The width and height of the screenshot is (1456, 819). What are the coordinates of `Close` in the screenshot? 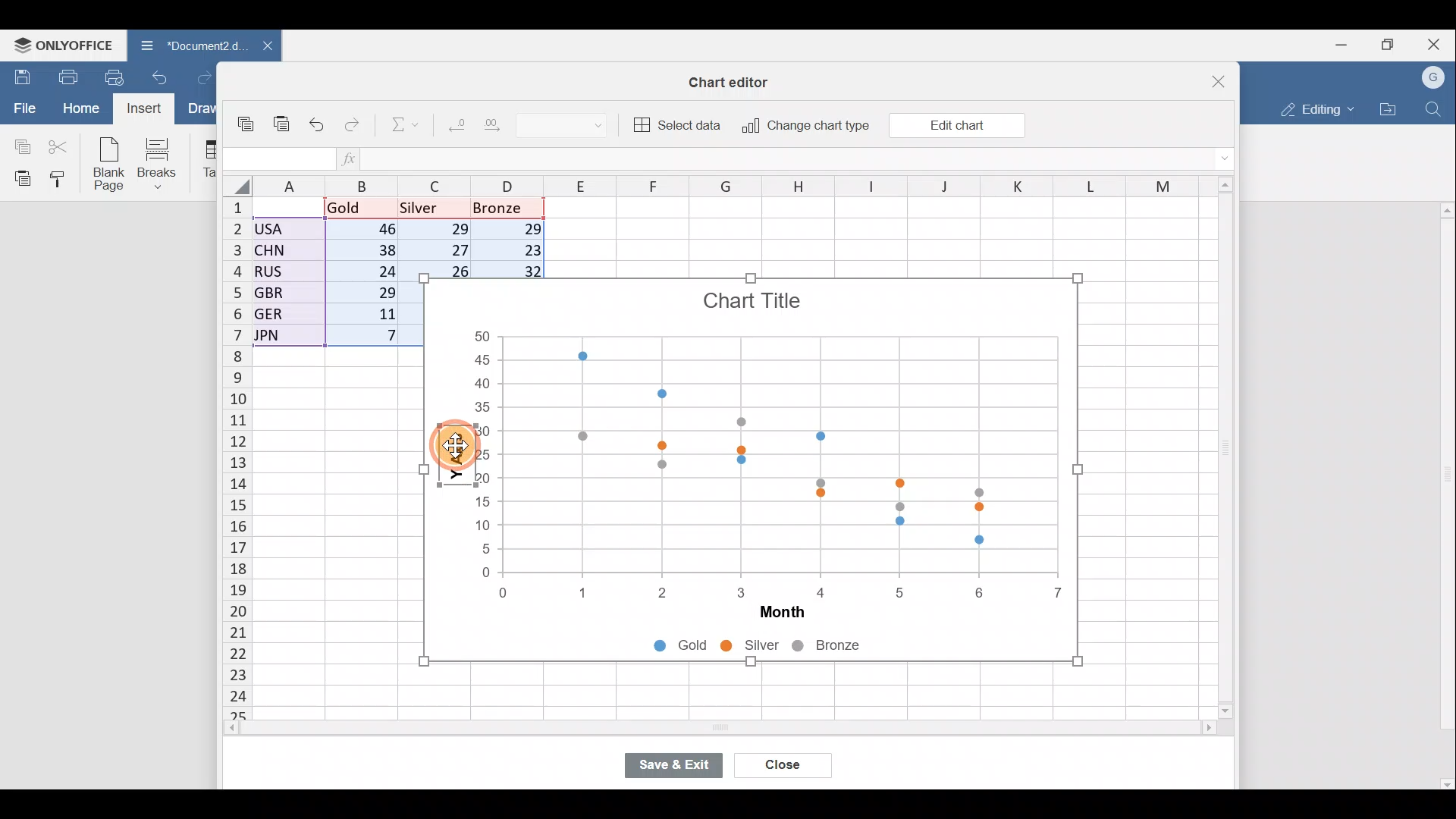 It's located at (1436, 42).